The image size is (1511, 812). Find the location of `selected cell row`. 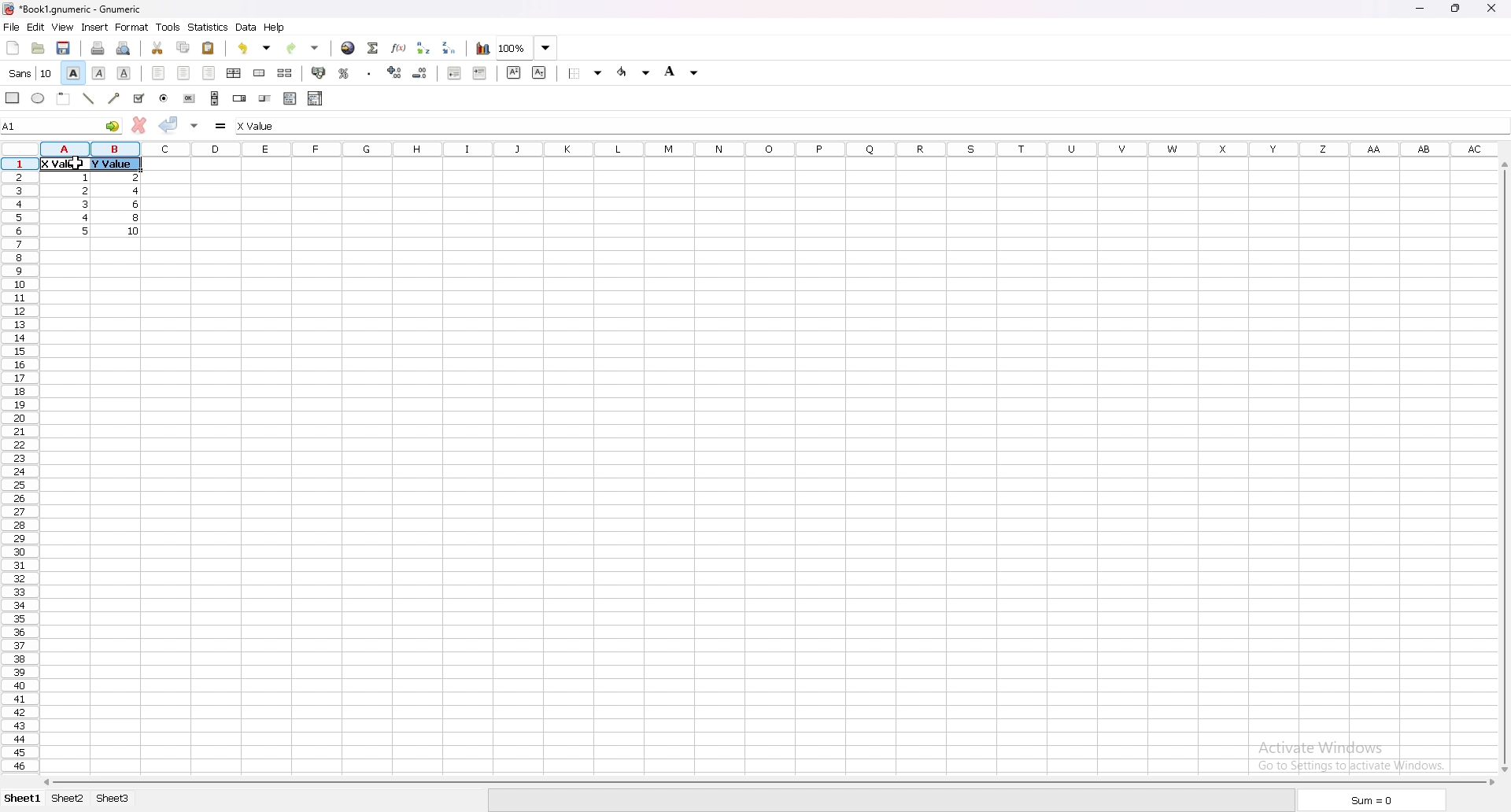

selected cell row is located at coordinates (21, 163).